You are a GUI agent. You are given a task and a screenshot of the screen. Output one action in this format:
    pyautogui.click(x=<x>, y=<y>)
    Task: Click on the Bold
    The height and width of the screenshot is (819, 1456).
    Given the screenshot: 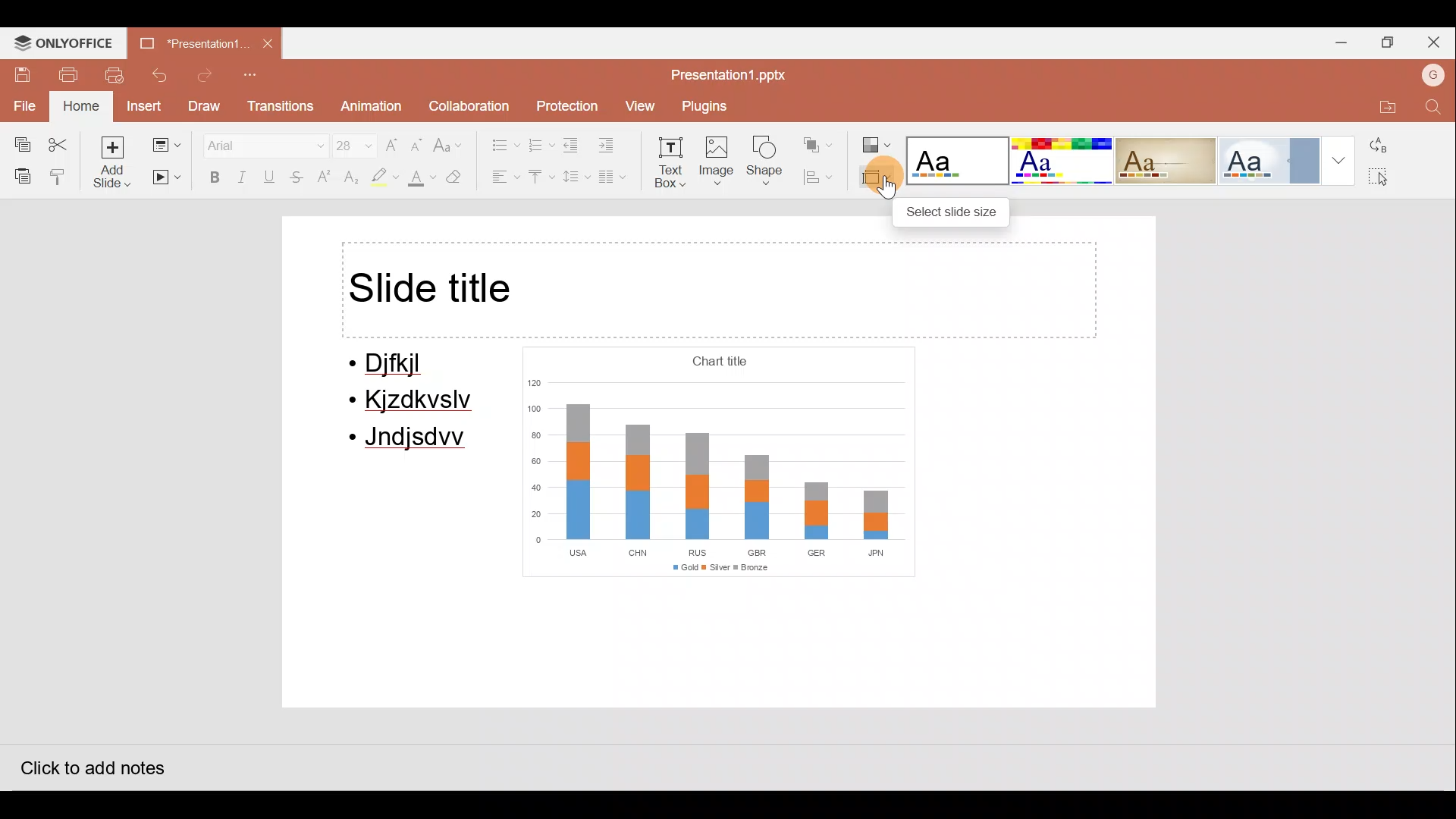 What is the action you would take?
    pyautogui.click(x=211, y=177)
    